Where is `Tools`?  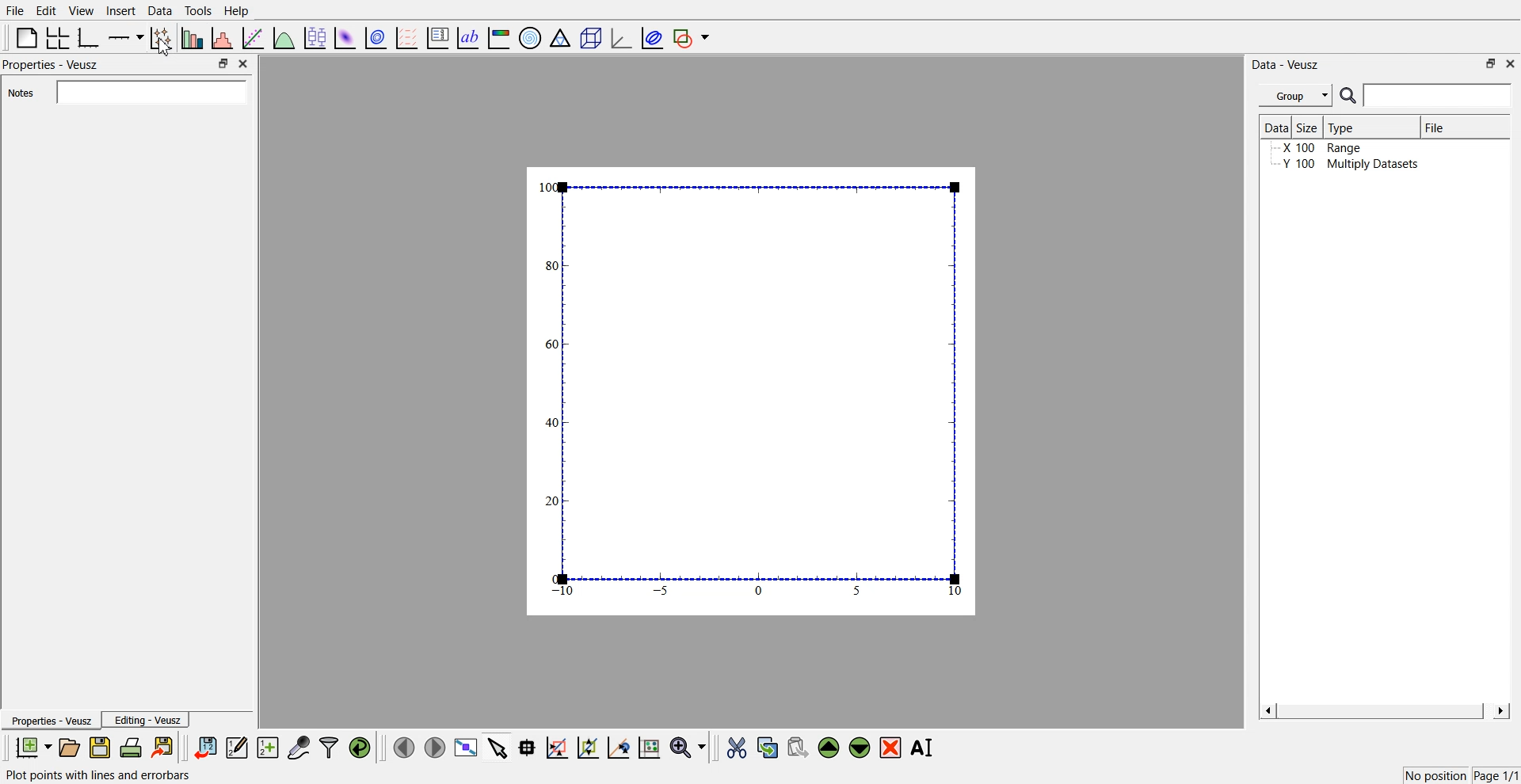
Tools is located at coordinates (196, 10).